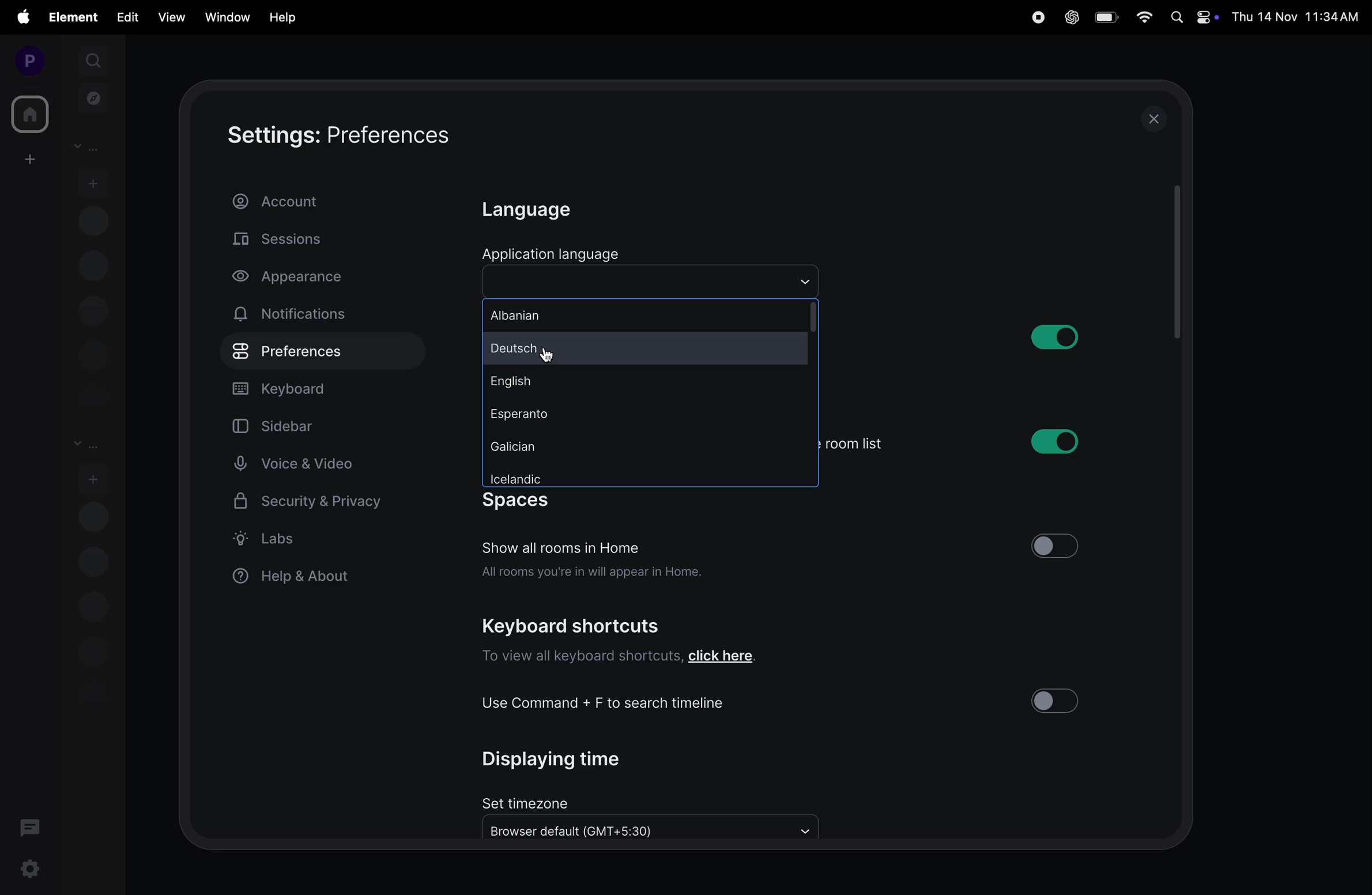  Describe the element at coordinates (312, 315) in the screenshot. I see `notifications` at that location.